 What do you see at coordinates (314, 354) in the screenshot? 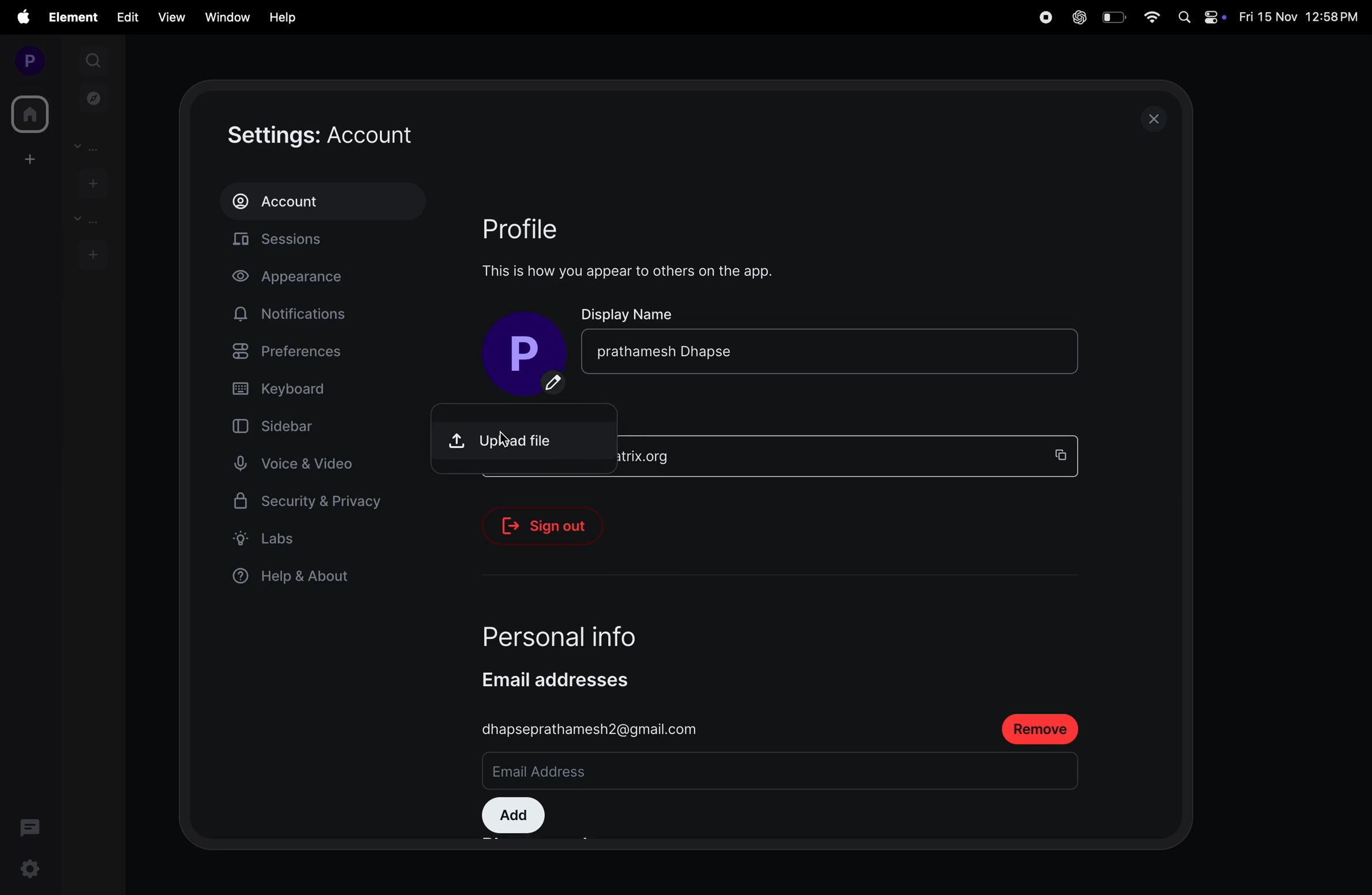
I see `prefrences` at bounding box center [314, 354].